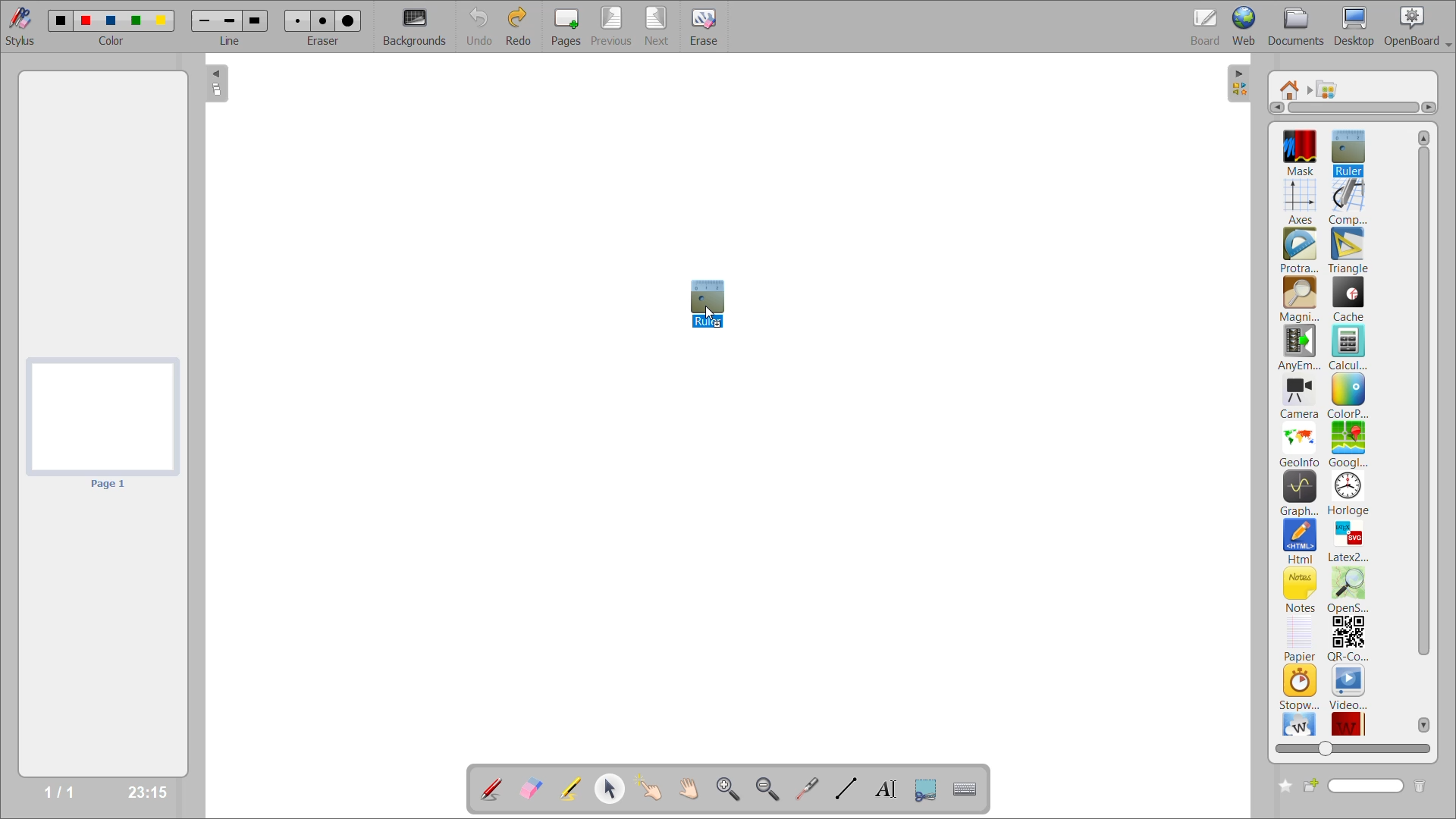 The width and height of the screenshot is (1456, 819). What do you see at coordinates (228, 20) in the screenshot?
I see `line 2` at bounding box center [228, 20].